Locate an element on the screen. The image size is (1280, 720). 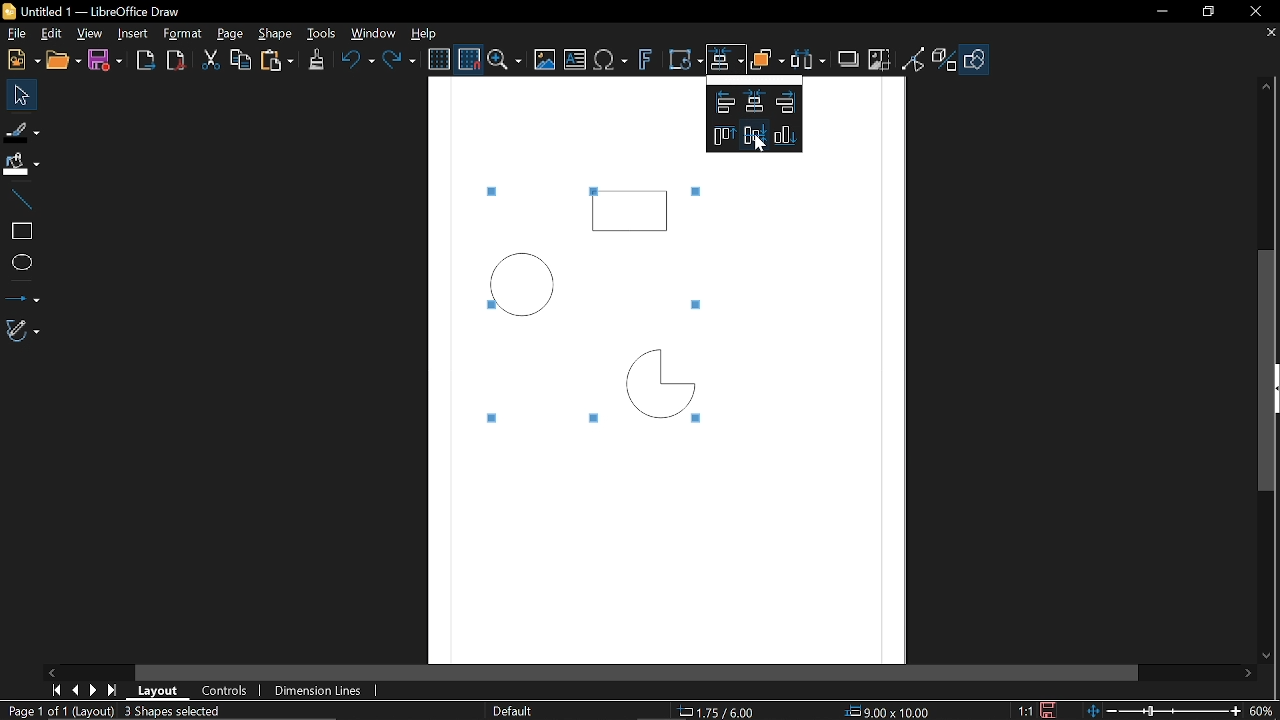
Tiny square marked around the selected objects is located at coordinates (585, 418).